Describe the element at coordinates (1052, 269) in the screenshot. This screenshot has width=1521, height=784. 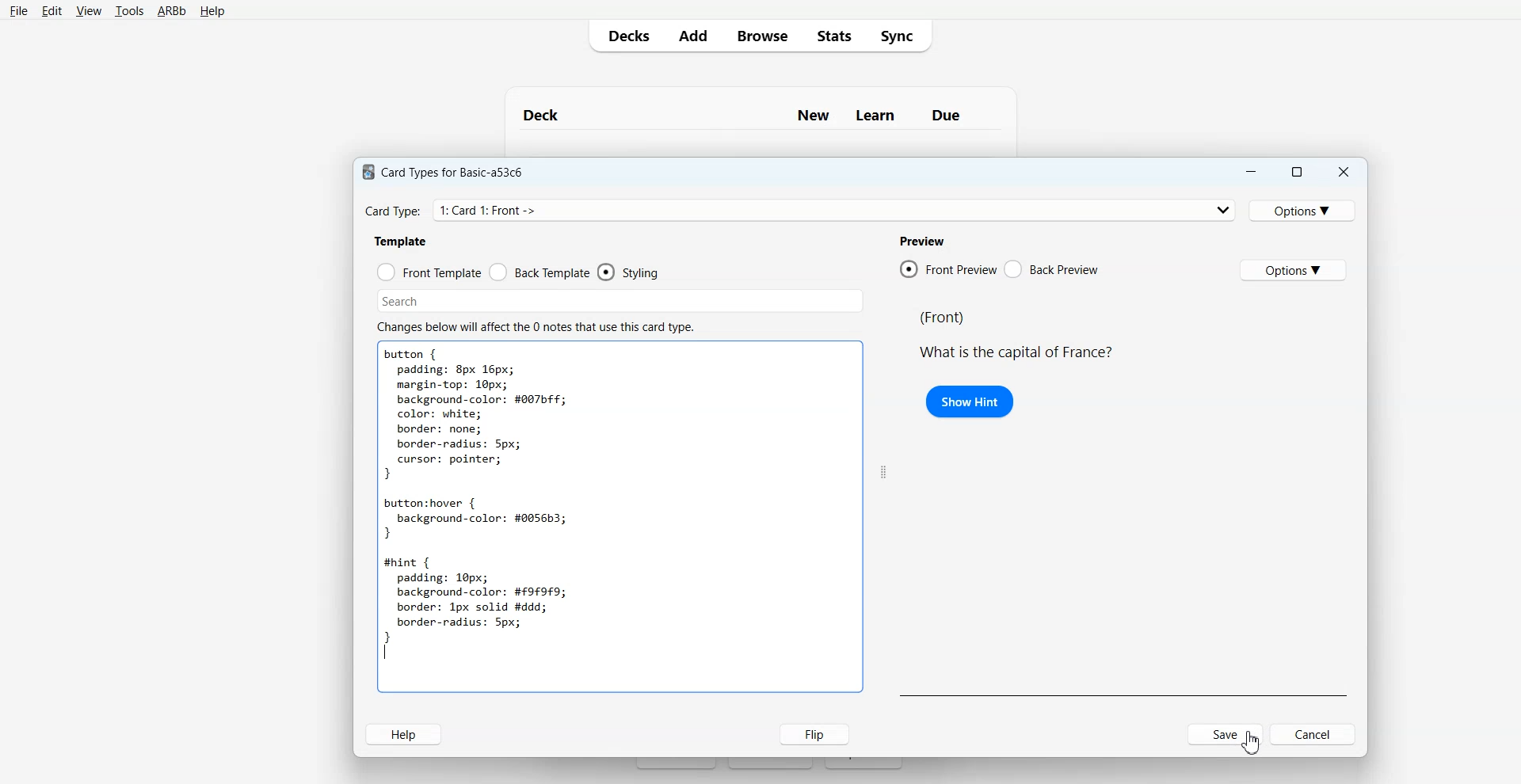
I see `Back Preview` at that location.